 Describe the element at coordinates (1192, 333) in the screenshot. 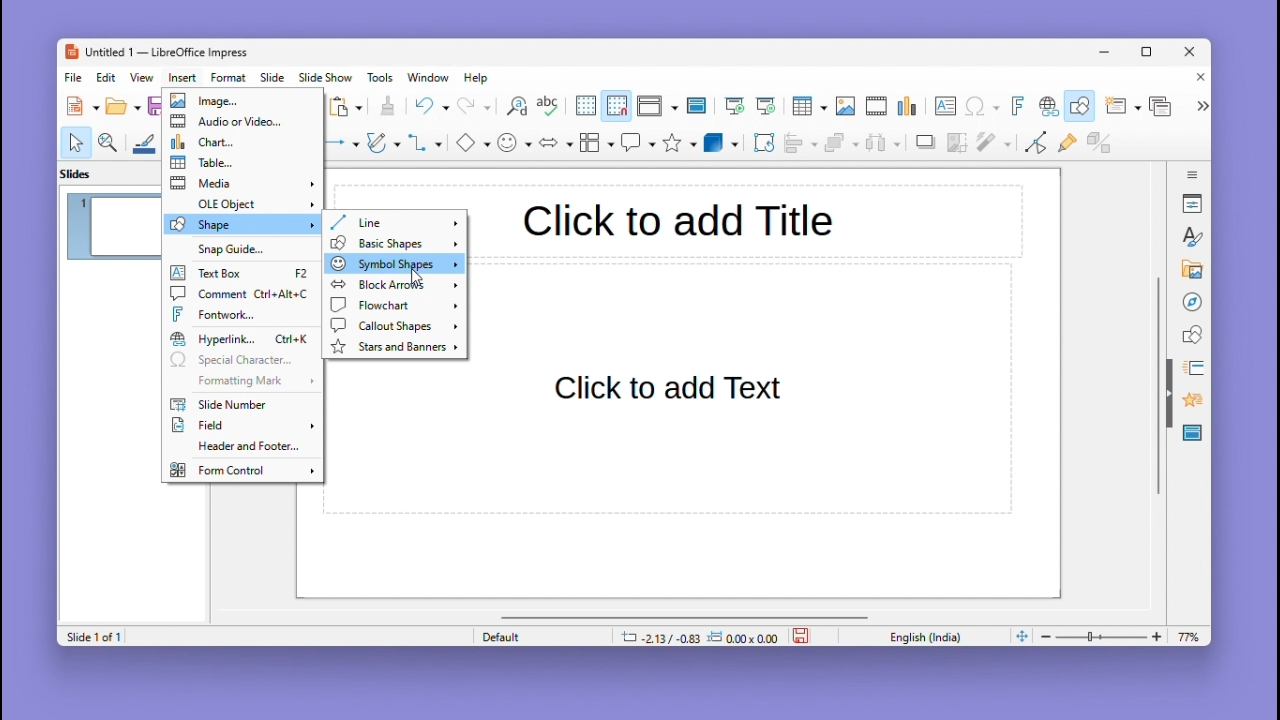

I see `shapes` at that location.